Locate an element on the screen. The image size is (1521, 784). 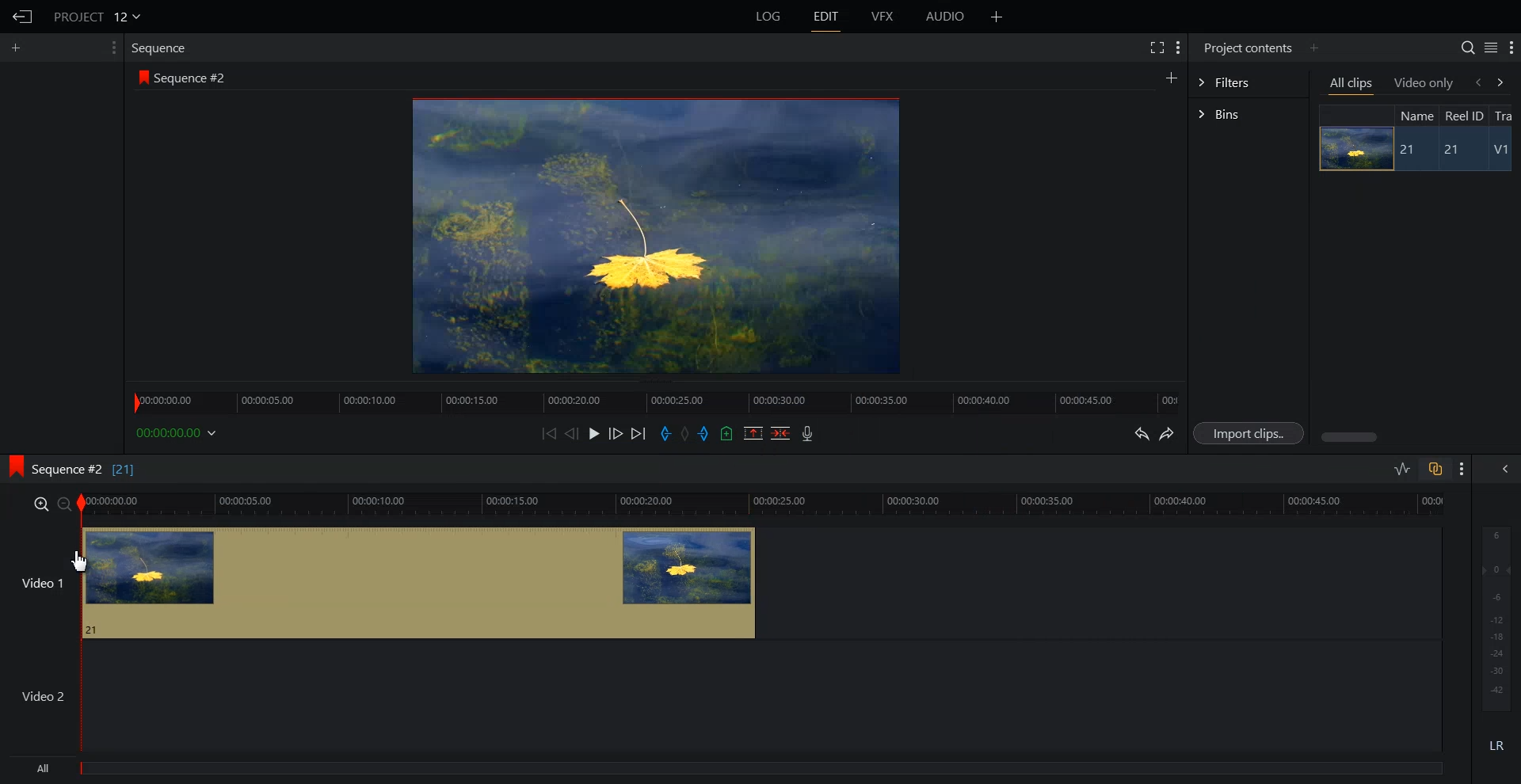
Record Audio is located at coordinates (806, 433).